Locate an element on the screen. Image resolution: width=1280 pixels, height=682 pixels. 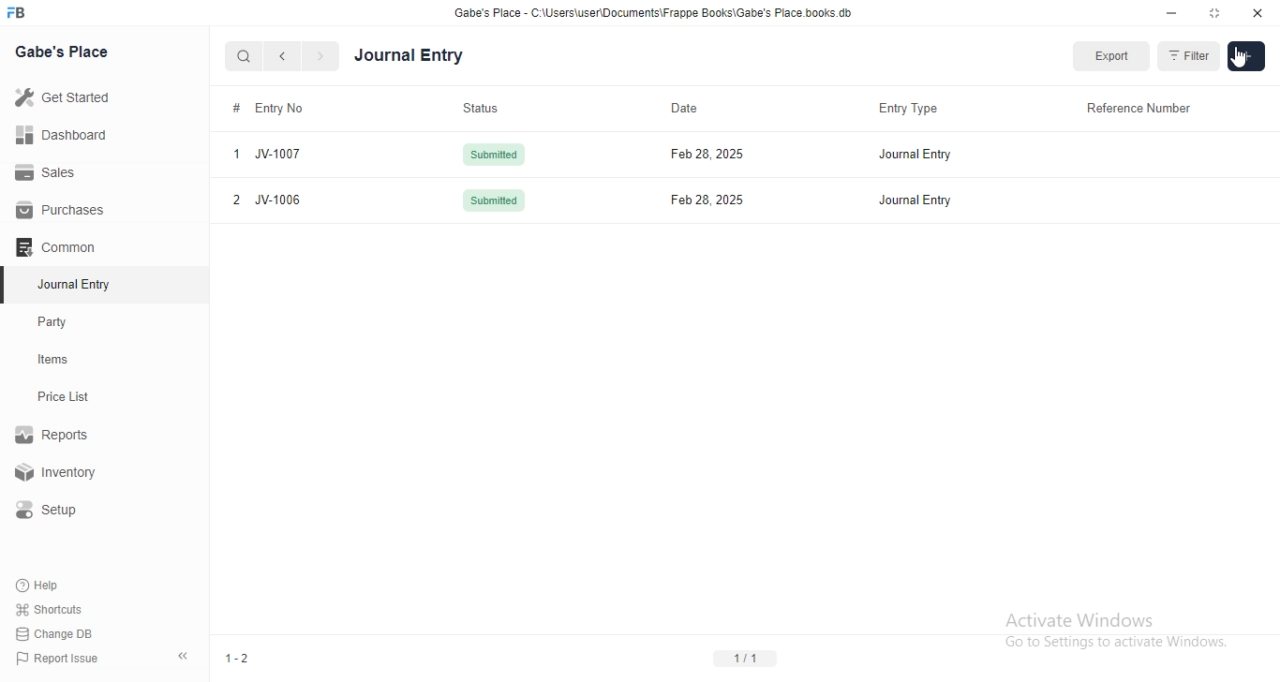
Inventory is located at coordinates (59, 474).